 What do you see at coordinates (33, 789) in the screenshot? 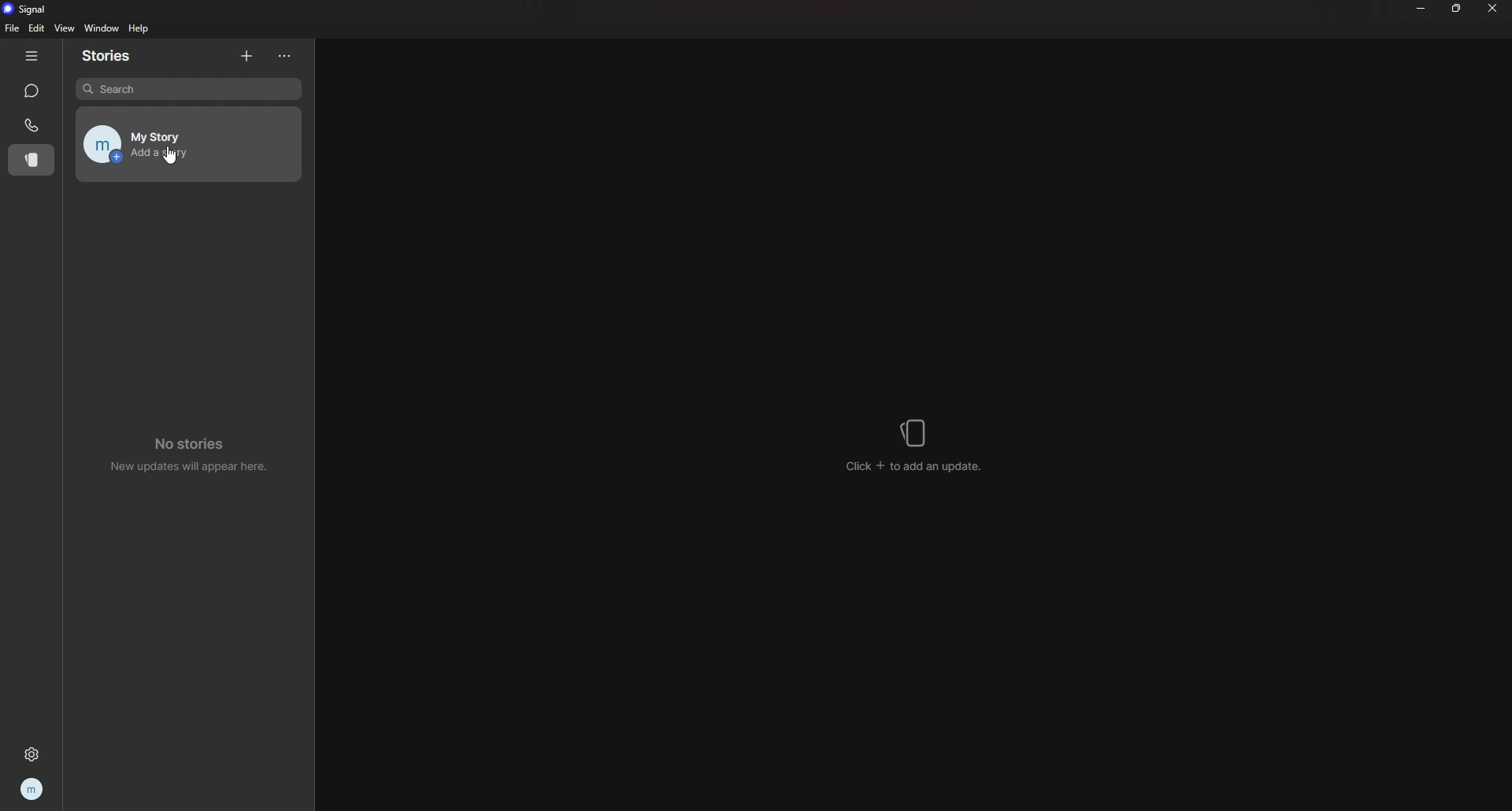
I see `profile` at bounding box center [33, 789].